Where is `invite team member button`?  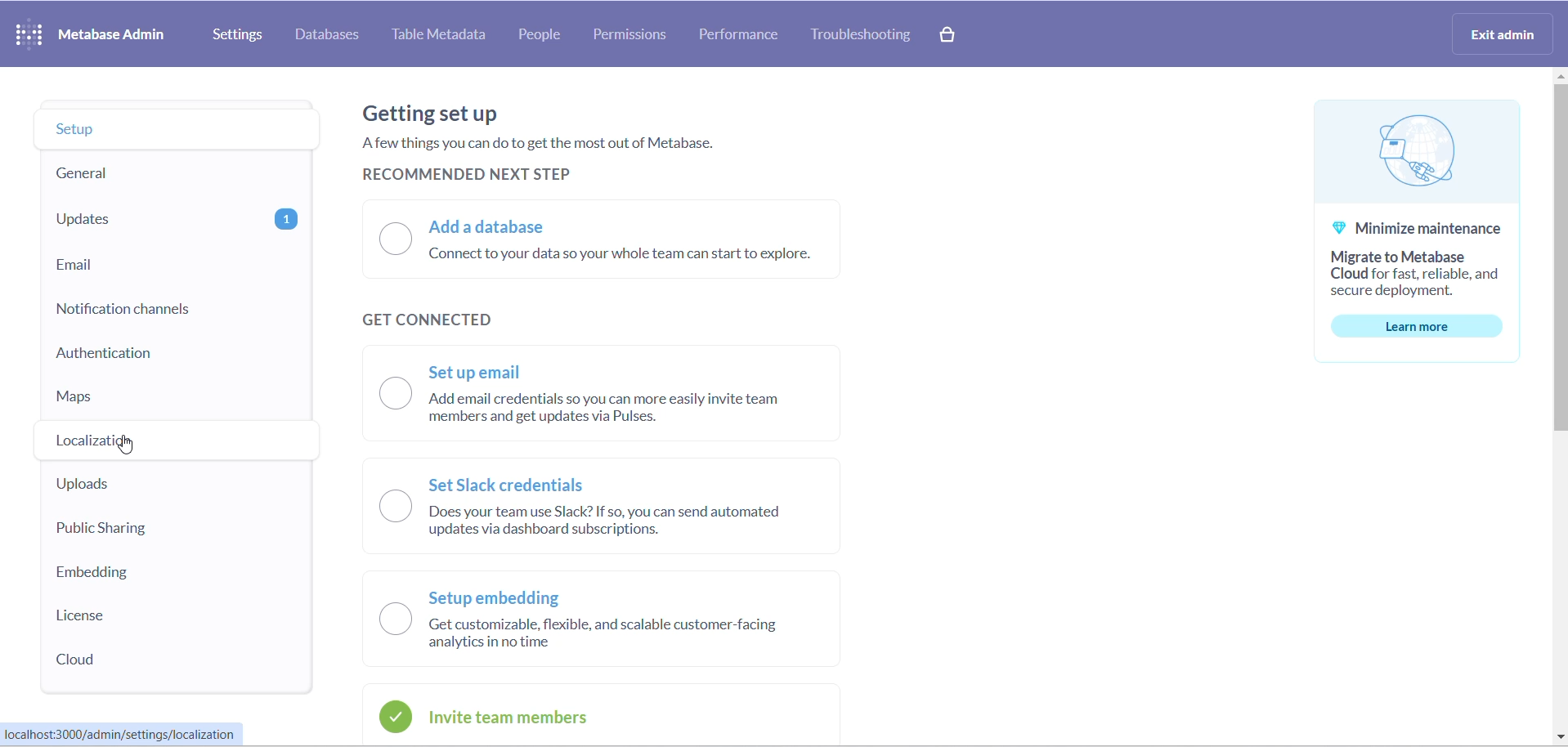 invite team member button is located at coordinates (535, 716).